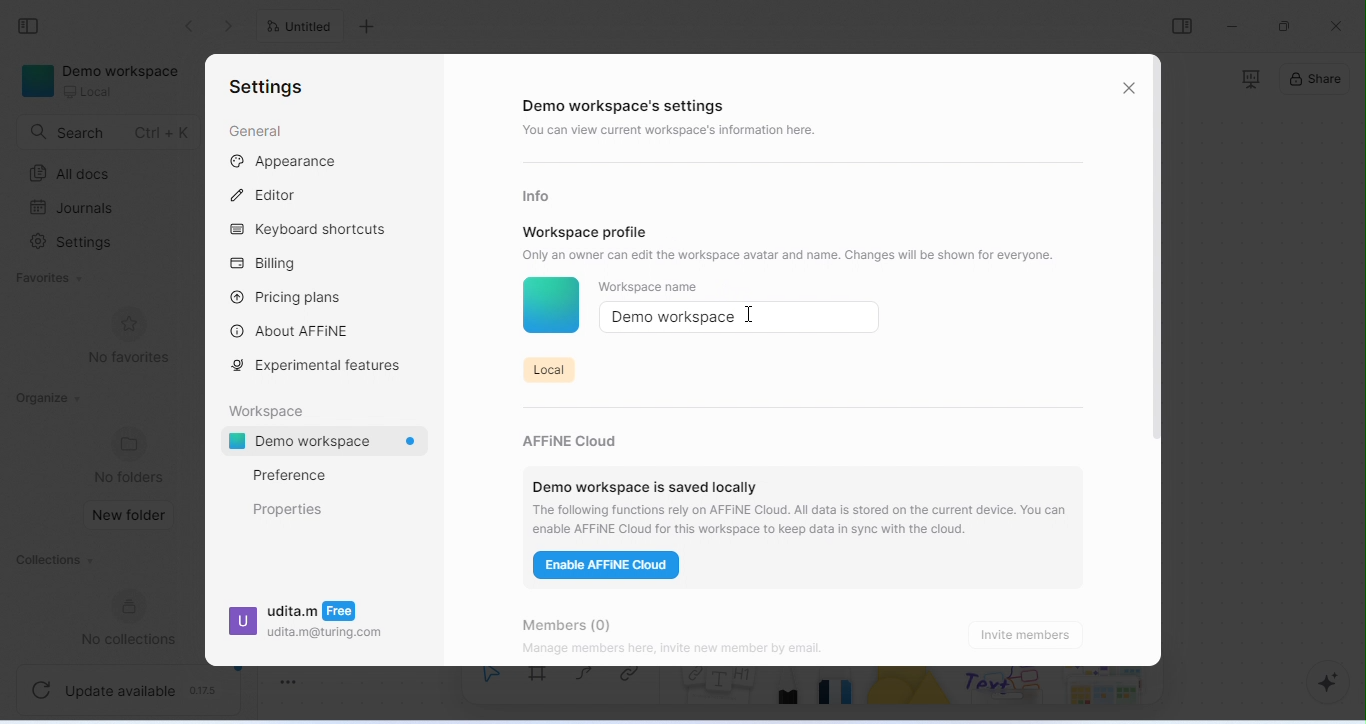 The height and width of the screenshot is (724, 1366). Describe the element at coordinates (53, 562) in the screenshot. I see `collections` at that location.